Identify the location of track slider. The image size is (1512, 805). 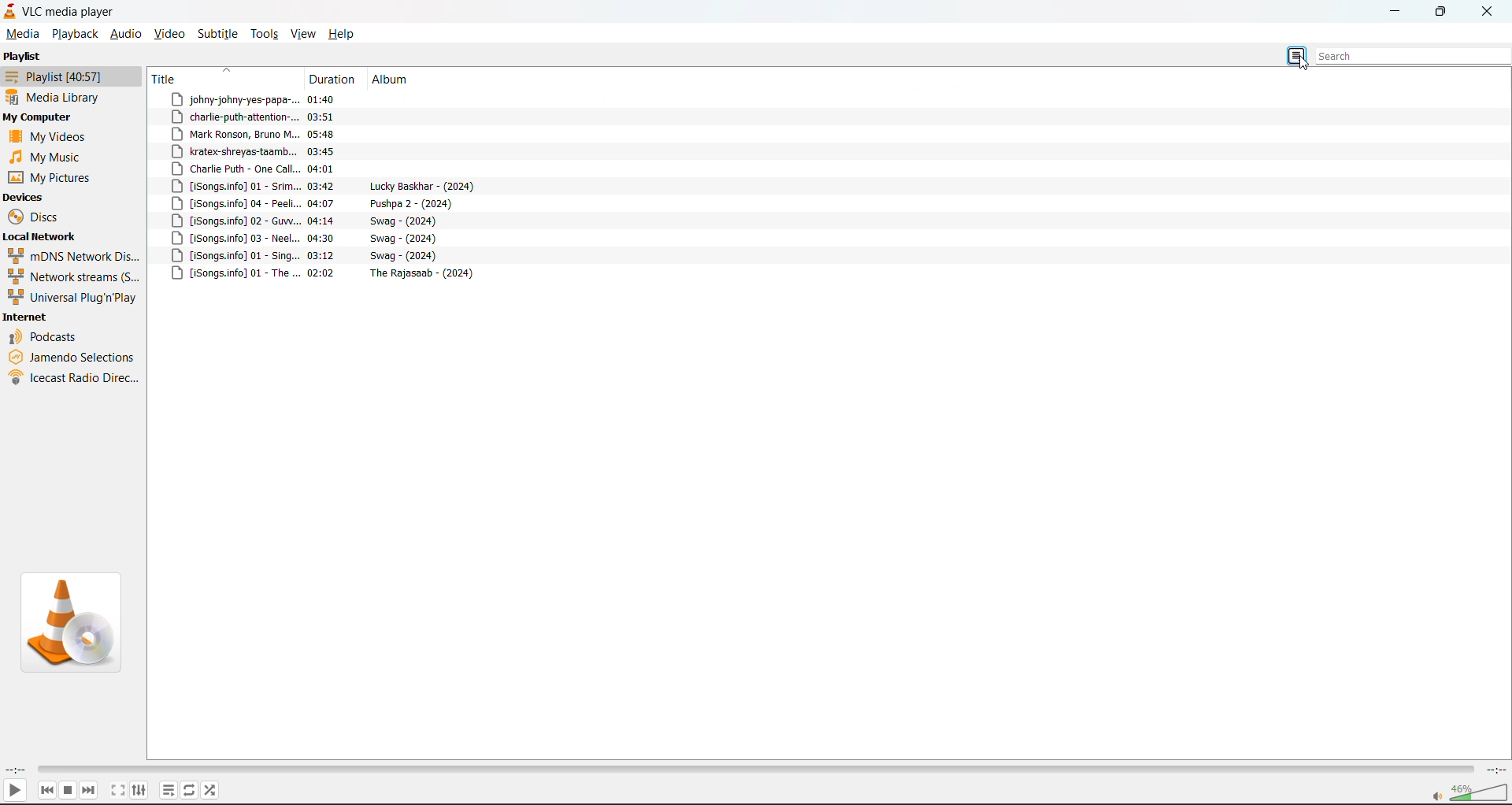
(750, 770).